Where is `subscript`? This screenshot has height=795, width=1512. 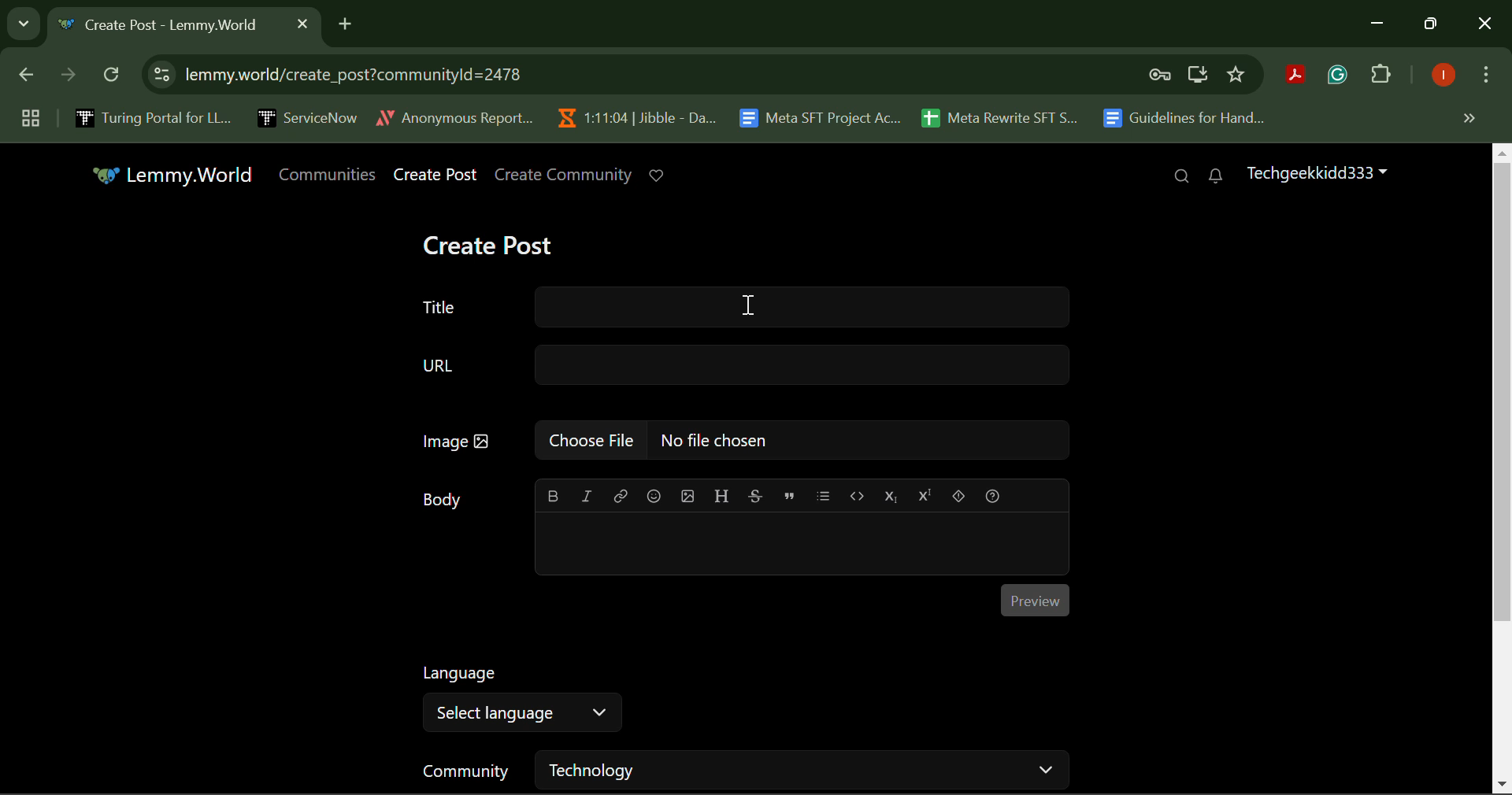
subscript is located at coordinates (892, 494).